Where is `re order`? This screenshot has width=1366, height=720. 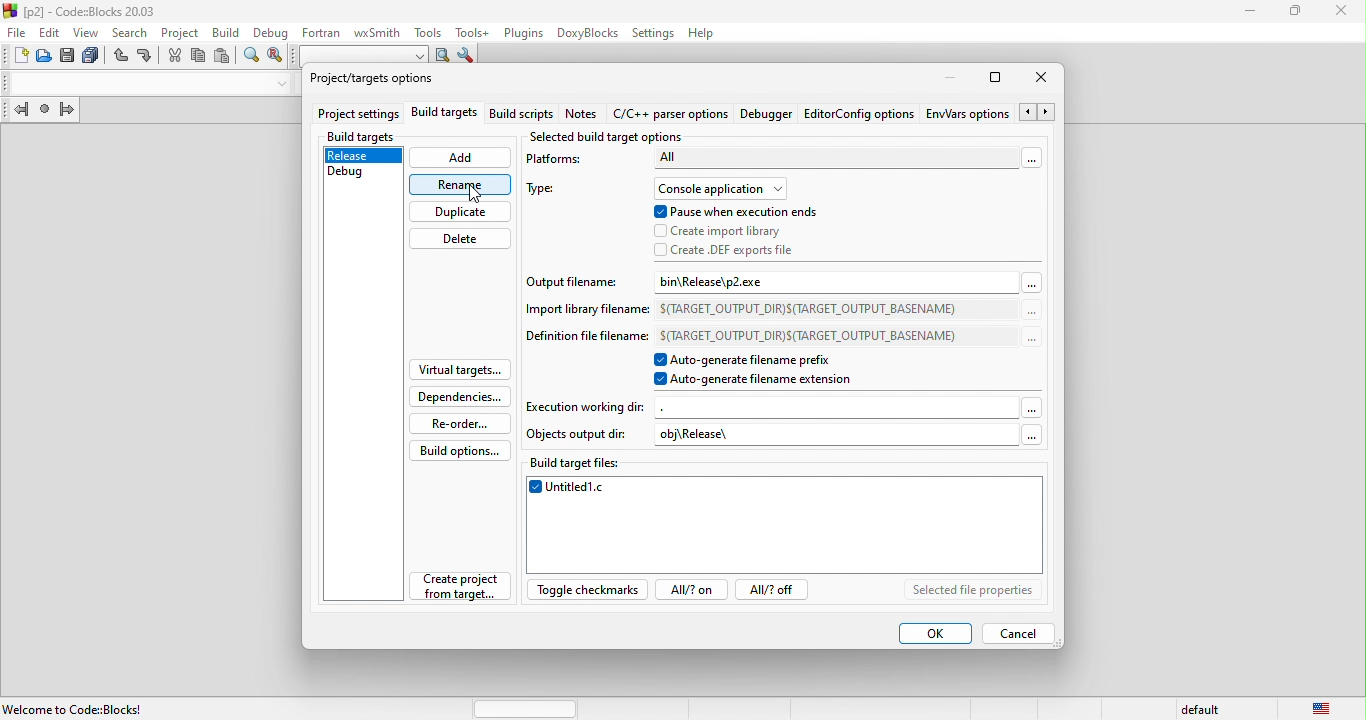 re order is located at coordinates (457, 423).